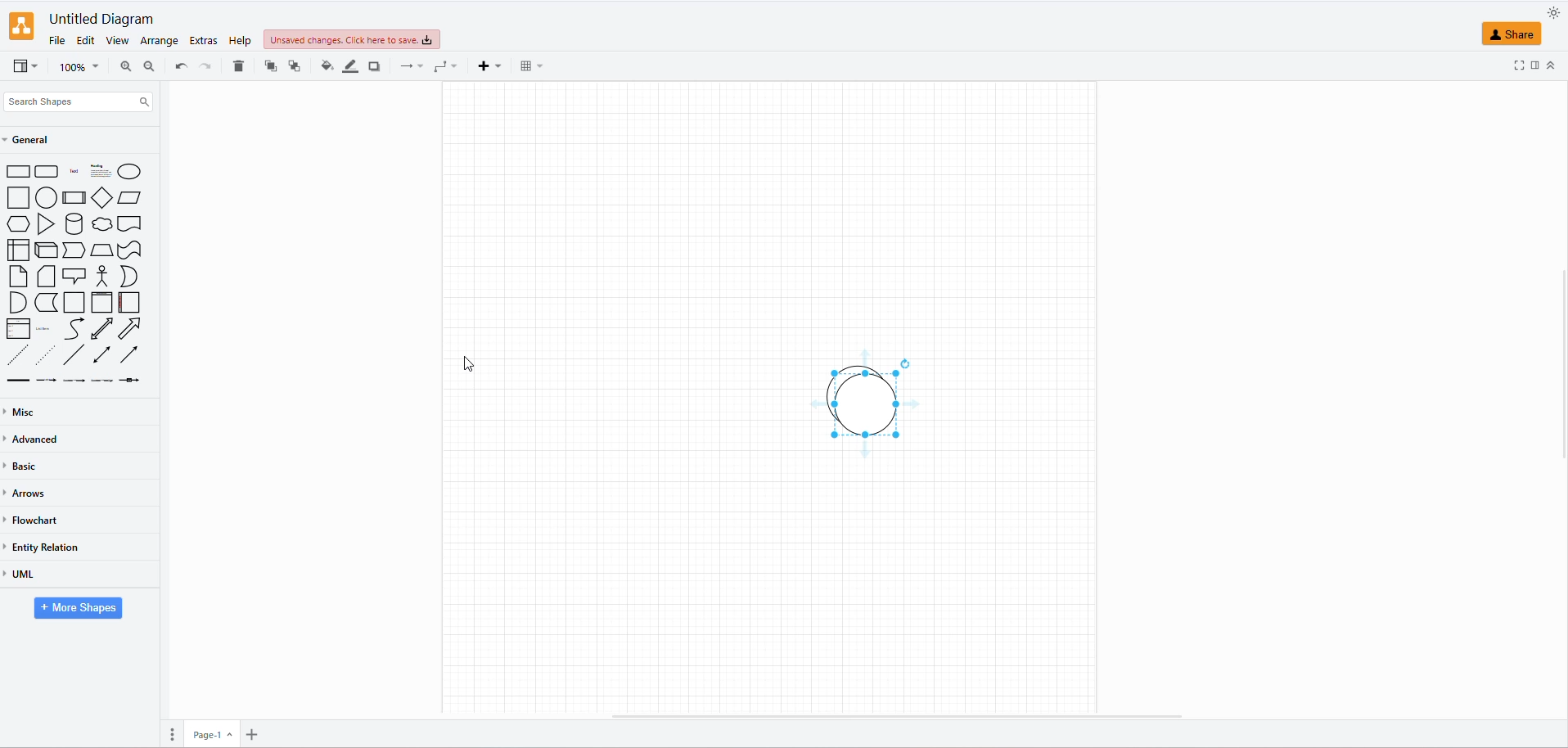 Image resolution: width=1568 pixels, height=748 pixels. What do you see at coordinates (1518, 65) in the screenshot?
I see `FULLSCREEN` at bounding box center [1518, 65].